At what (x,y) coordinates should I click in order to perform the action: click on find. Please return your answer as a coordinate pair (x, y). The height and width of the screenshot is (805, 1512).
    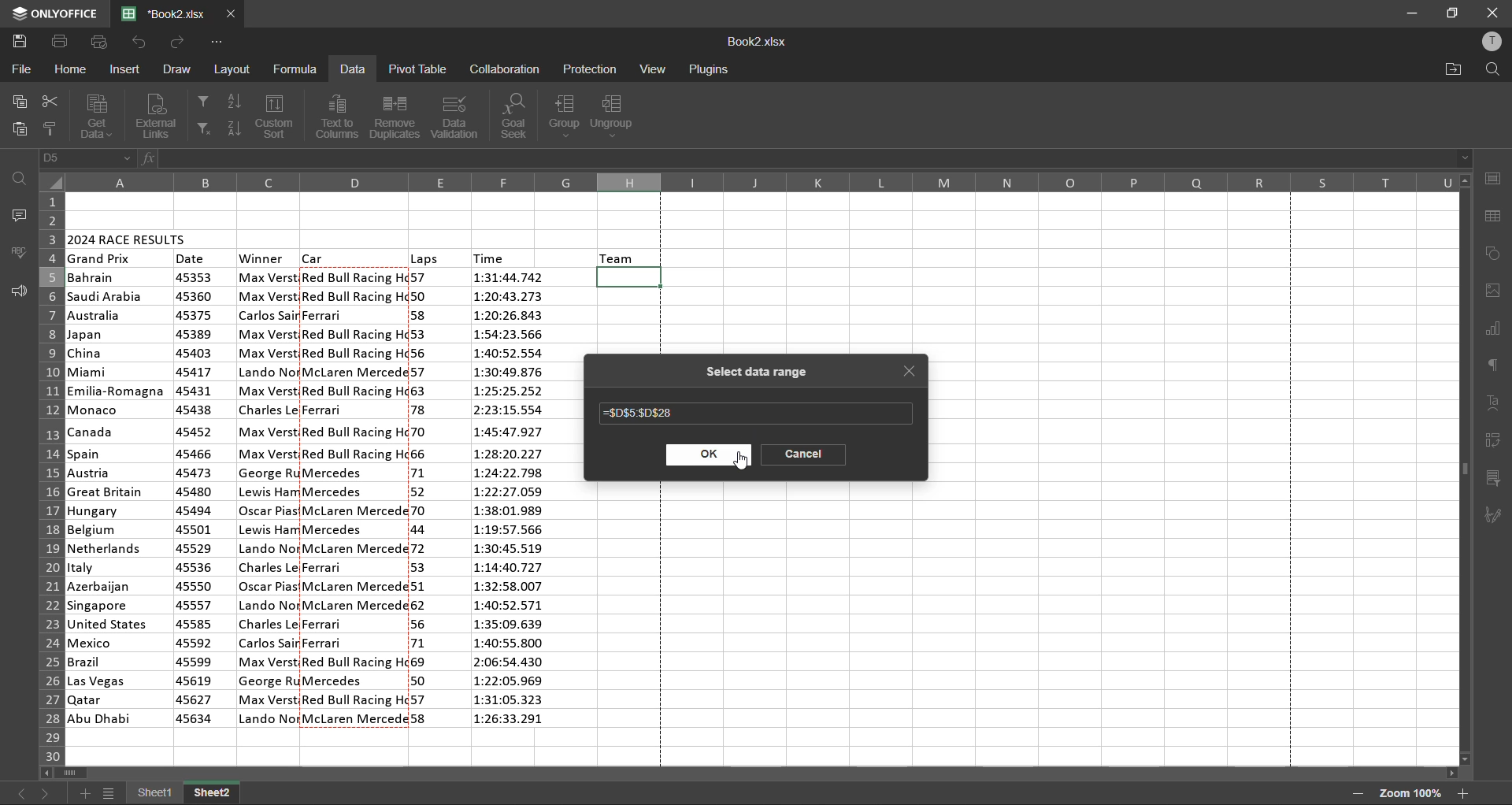
    Looking at the image, I should click on (22, 178).